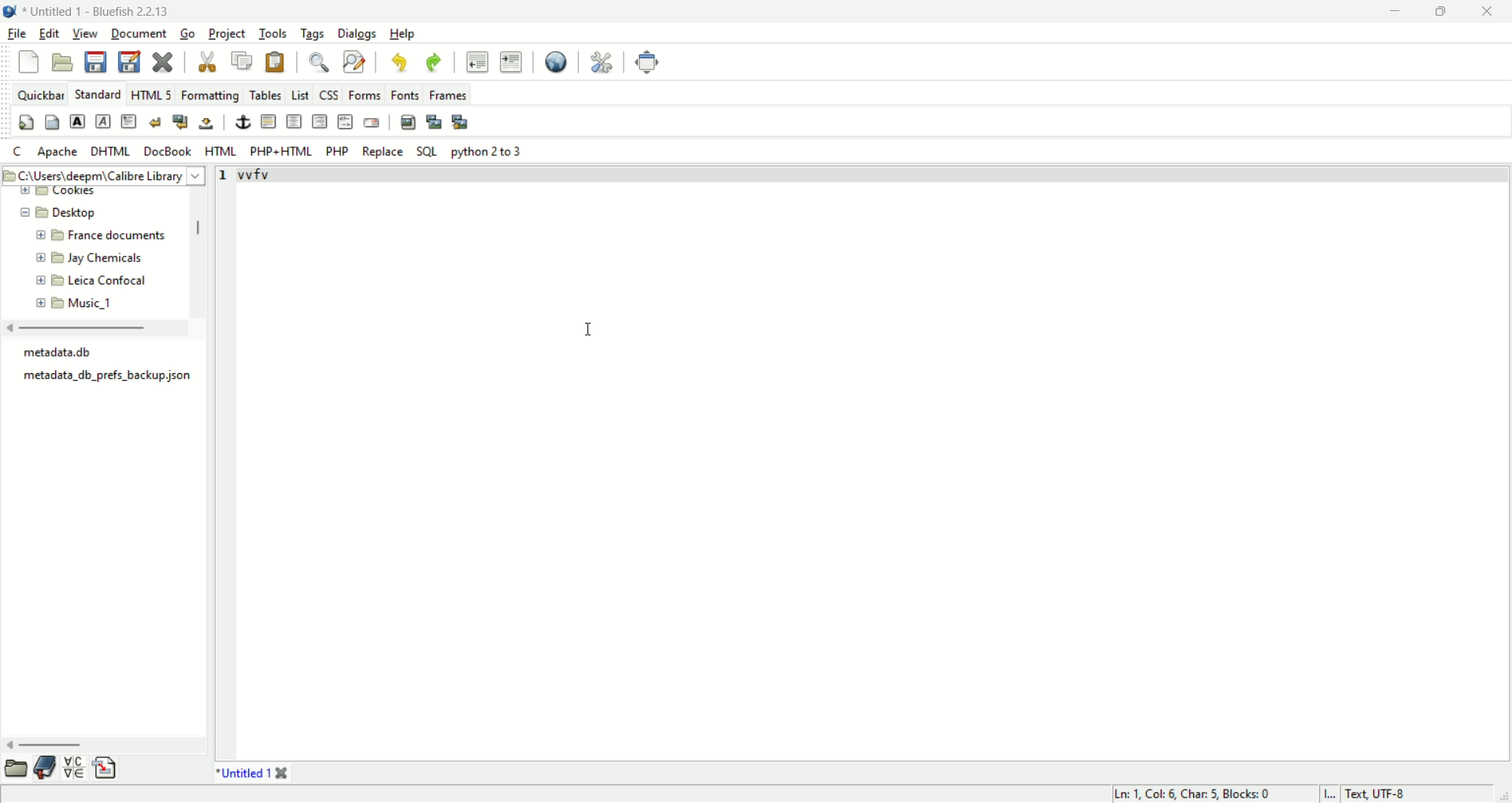 The image size is (1512, 803). I want to click on STANDARD, so click(95, 94).